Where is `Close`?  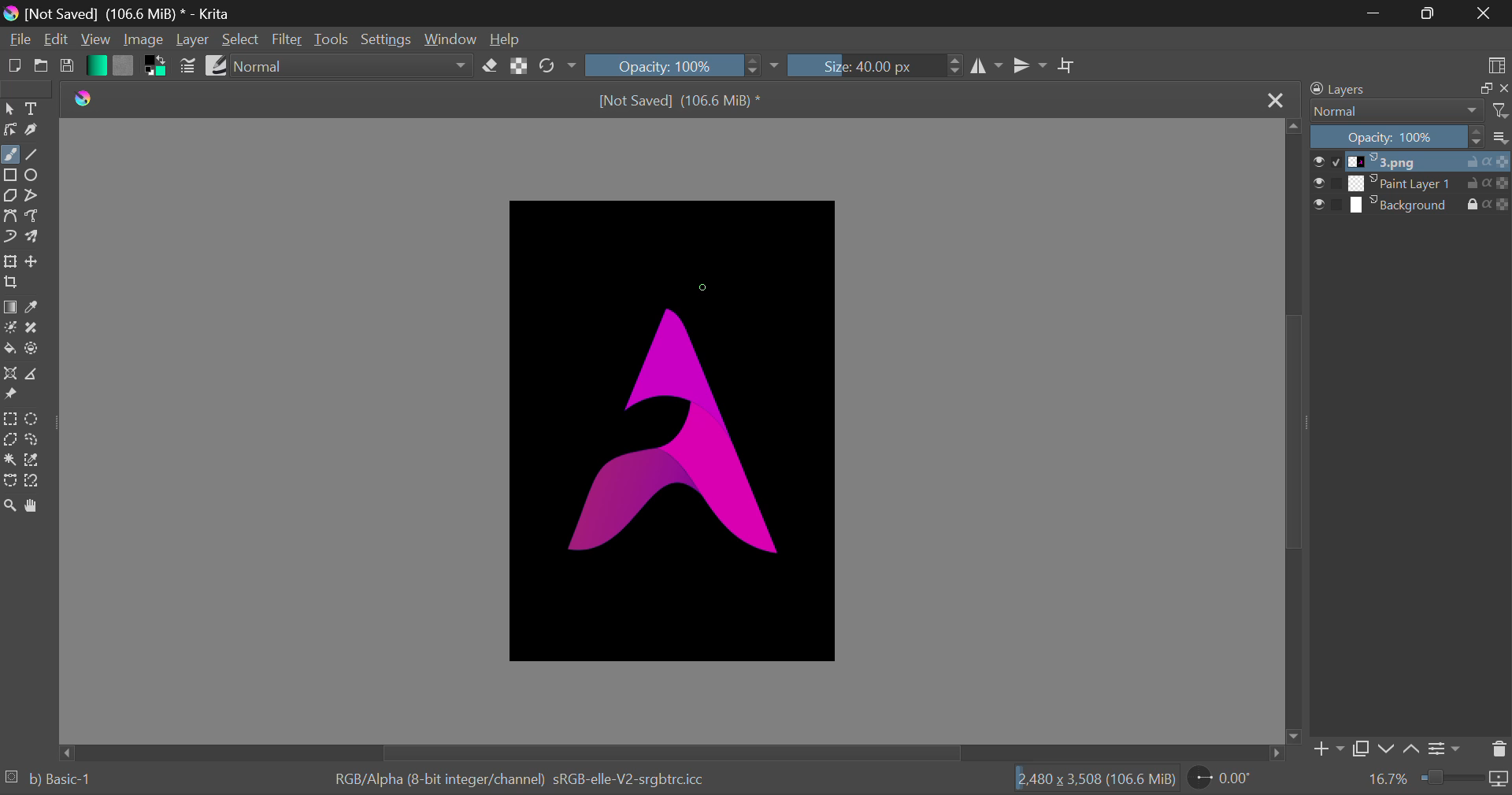 Close is located at coordinates (1482, 13).